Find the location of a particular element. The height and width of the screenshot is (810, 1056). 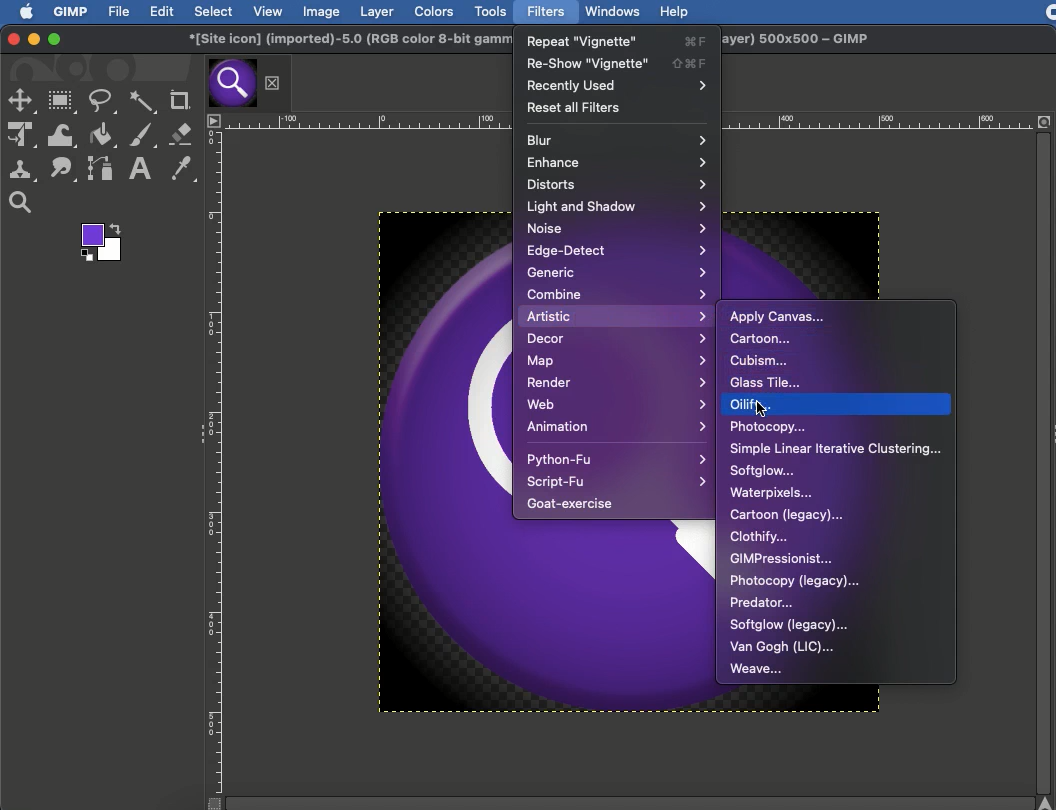

Clone is located at coordinates (23, 170).